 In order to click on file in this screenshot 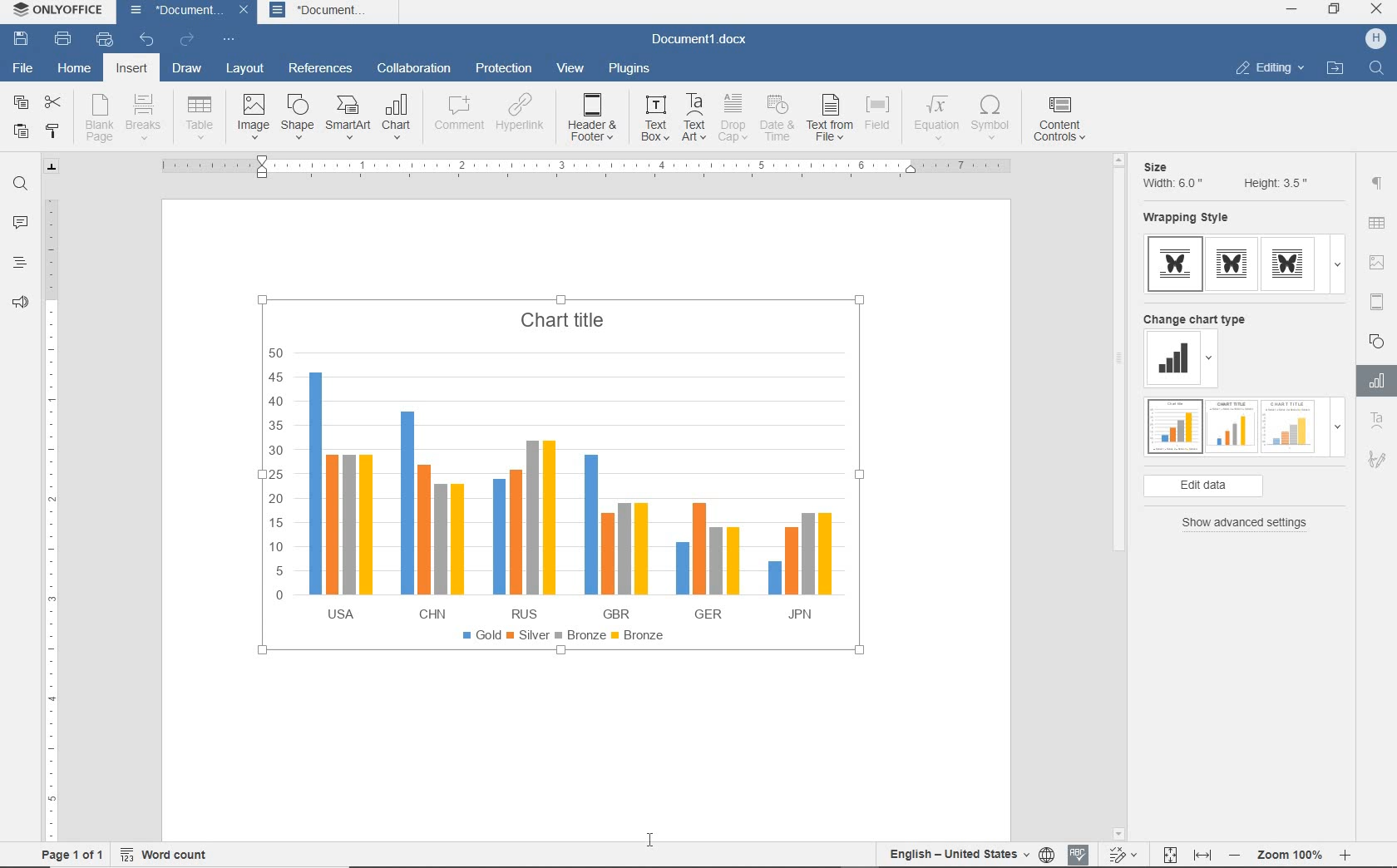, I will do `click(22, 67)`.